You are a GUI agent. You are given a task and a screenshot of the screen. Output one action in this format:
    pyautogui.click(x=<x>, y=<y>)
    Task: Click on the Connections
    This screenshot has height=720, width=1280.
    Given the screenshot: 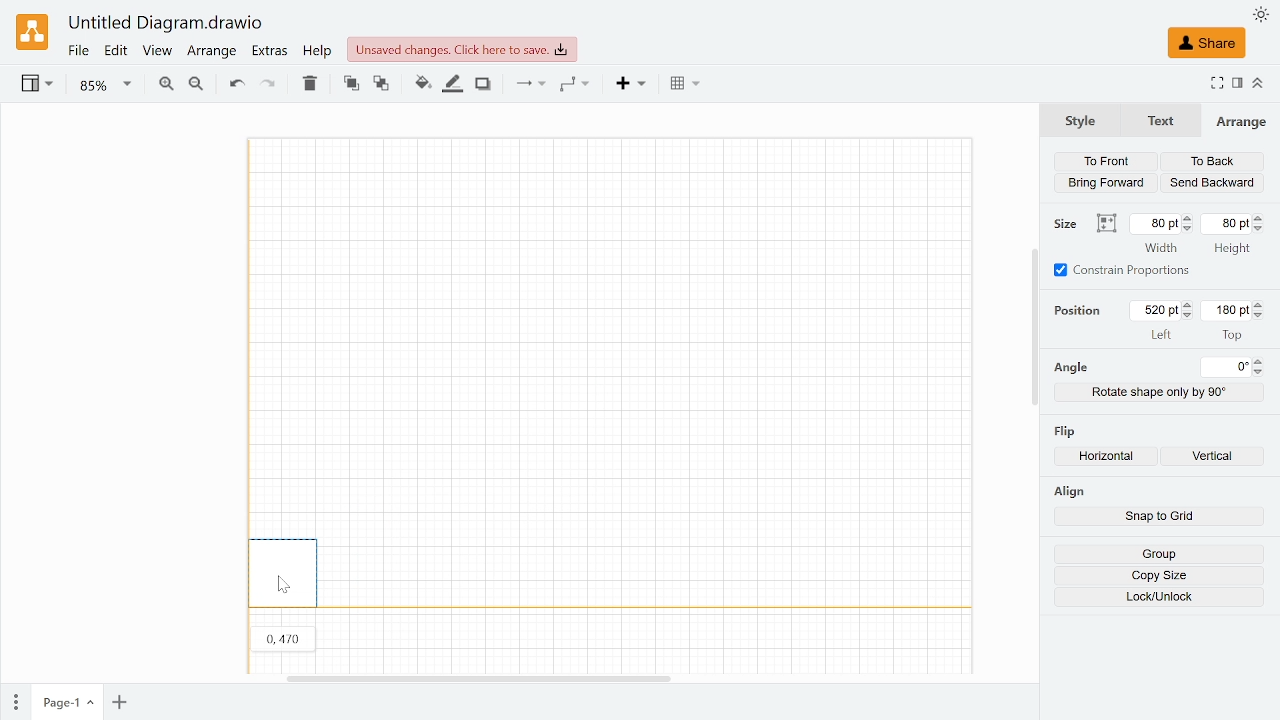 What is the action you would take?
    pyautogui.click(x=528, y=84)
    